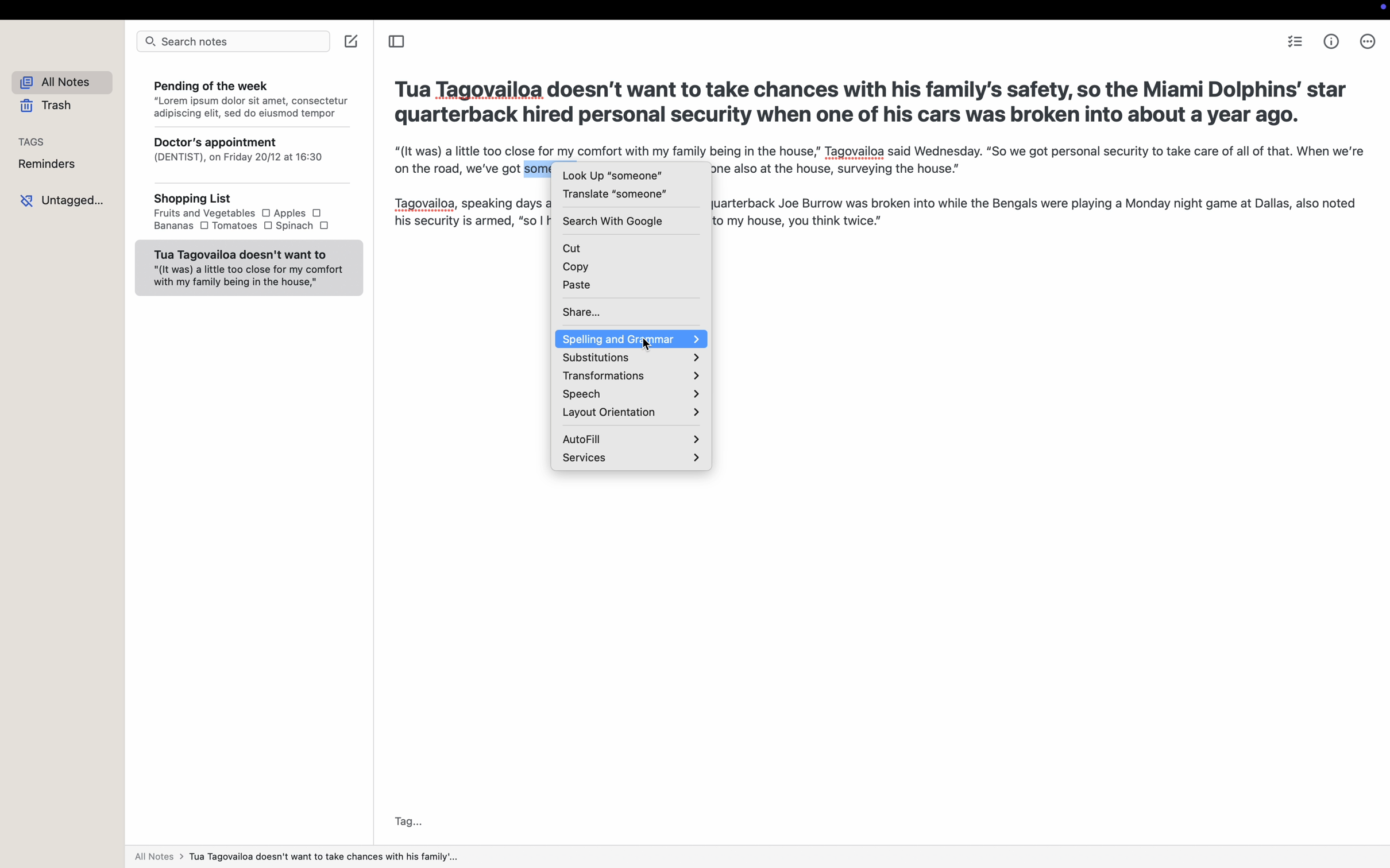 The width and height of the screenshot is (1390, 868). Describe the element at coordinates (630, 458) in the screenshot. I see `services` at that location.